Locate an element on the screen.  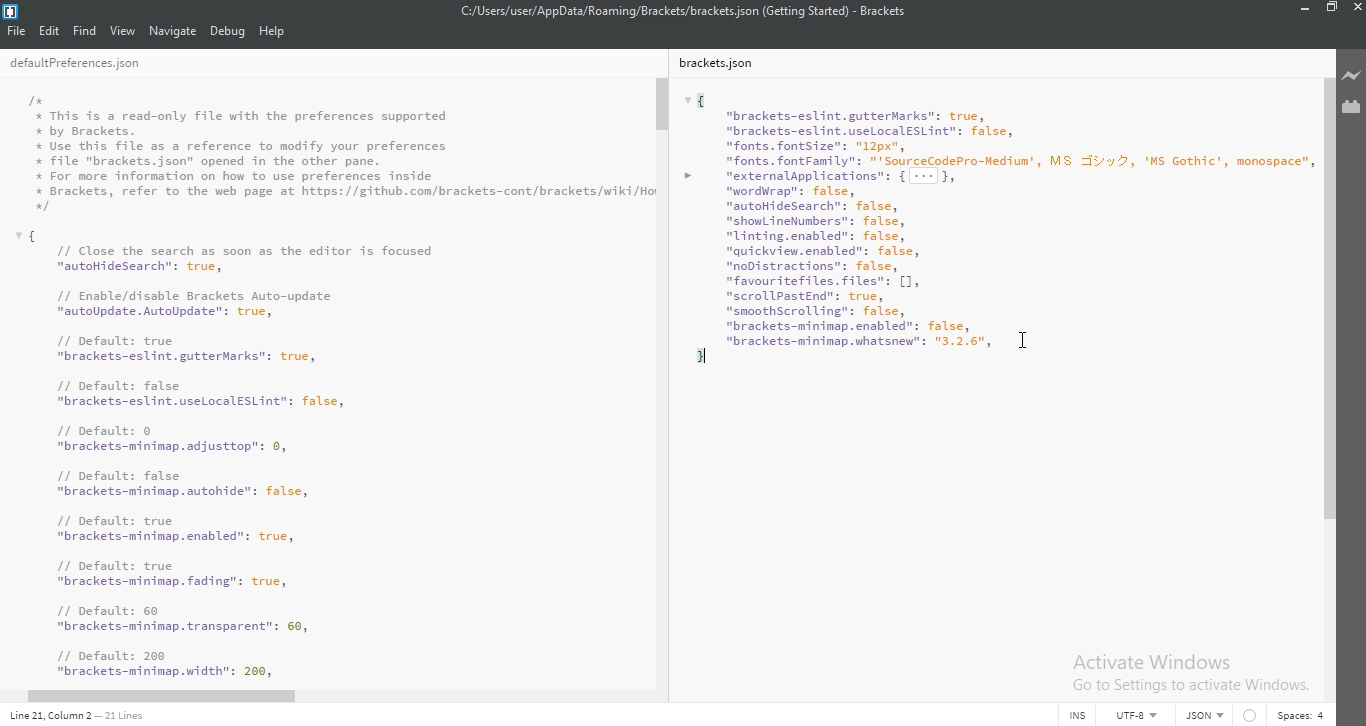
space: 4 is located at coordinates (1298, 713).